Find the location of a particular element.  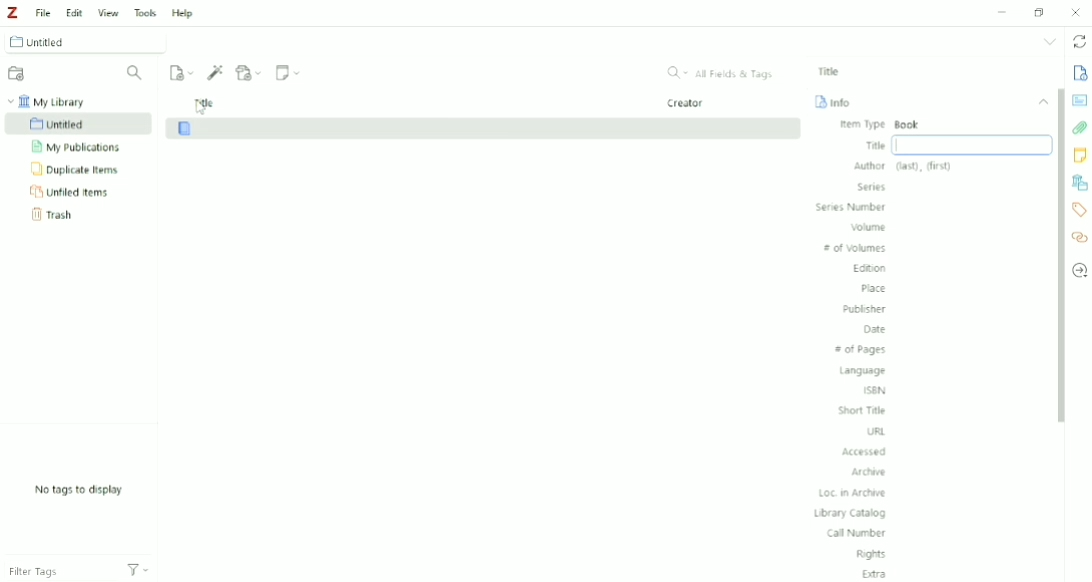

# of Volumes is located at coordinates (856, 249).